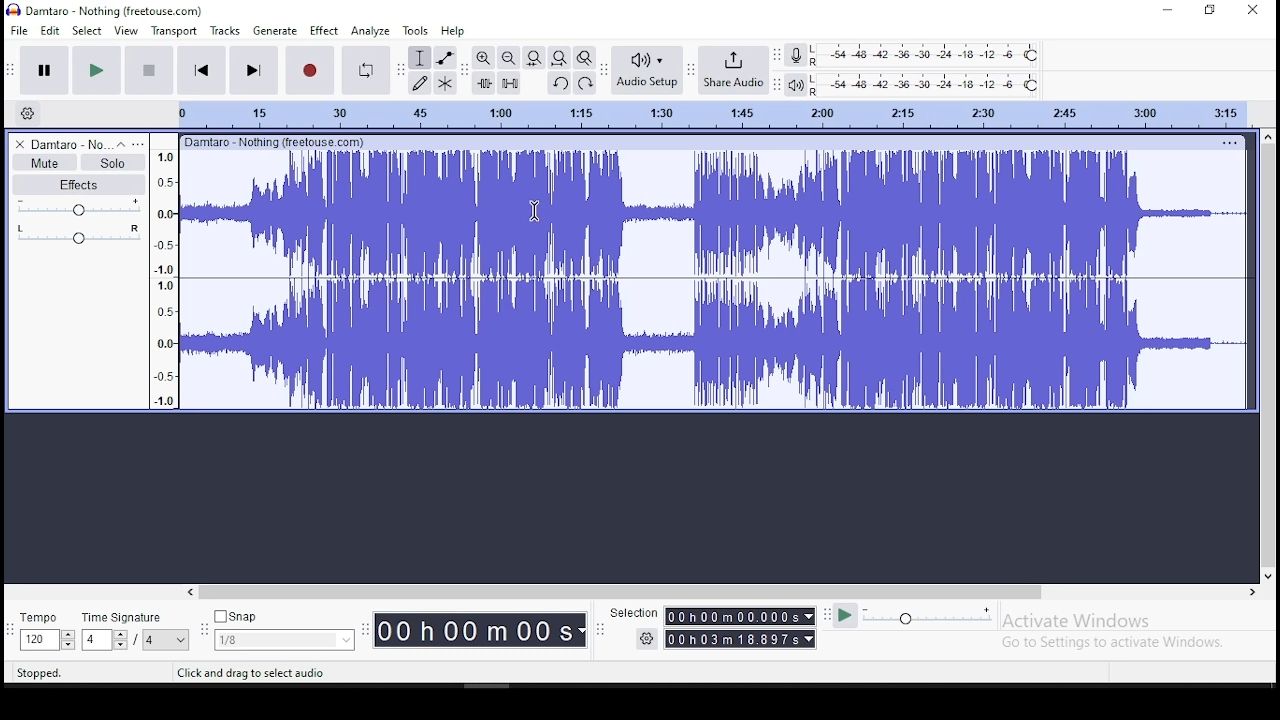 This screenshot has height=720, width=1280. What do you see at coordinates (1268, 356) in the screenshot?
I see `scroll bar` at bounding box center [1268, 356].